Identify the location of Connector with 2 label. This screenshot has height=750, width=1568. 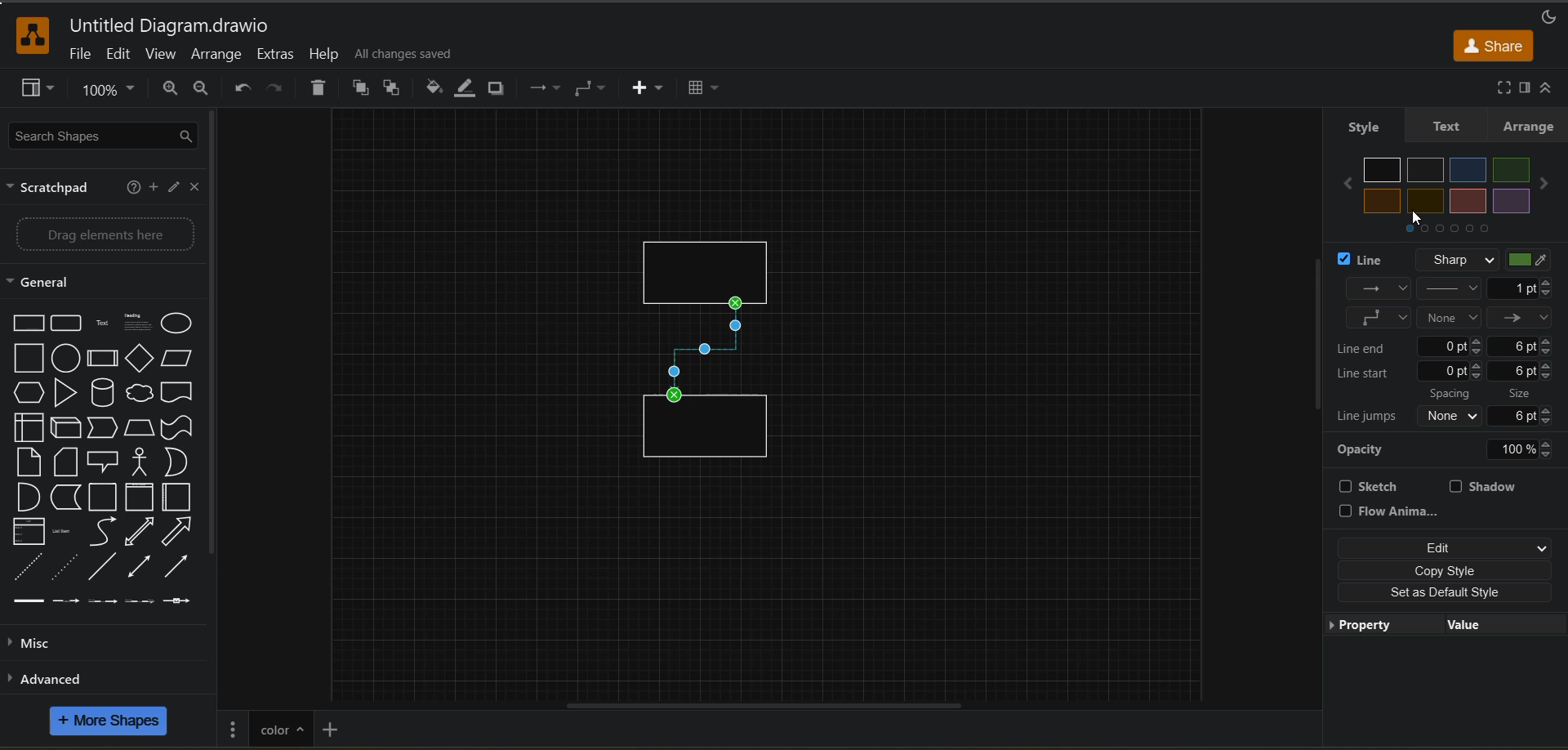
(102, 602).